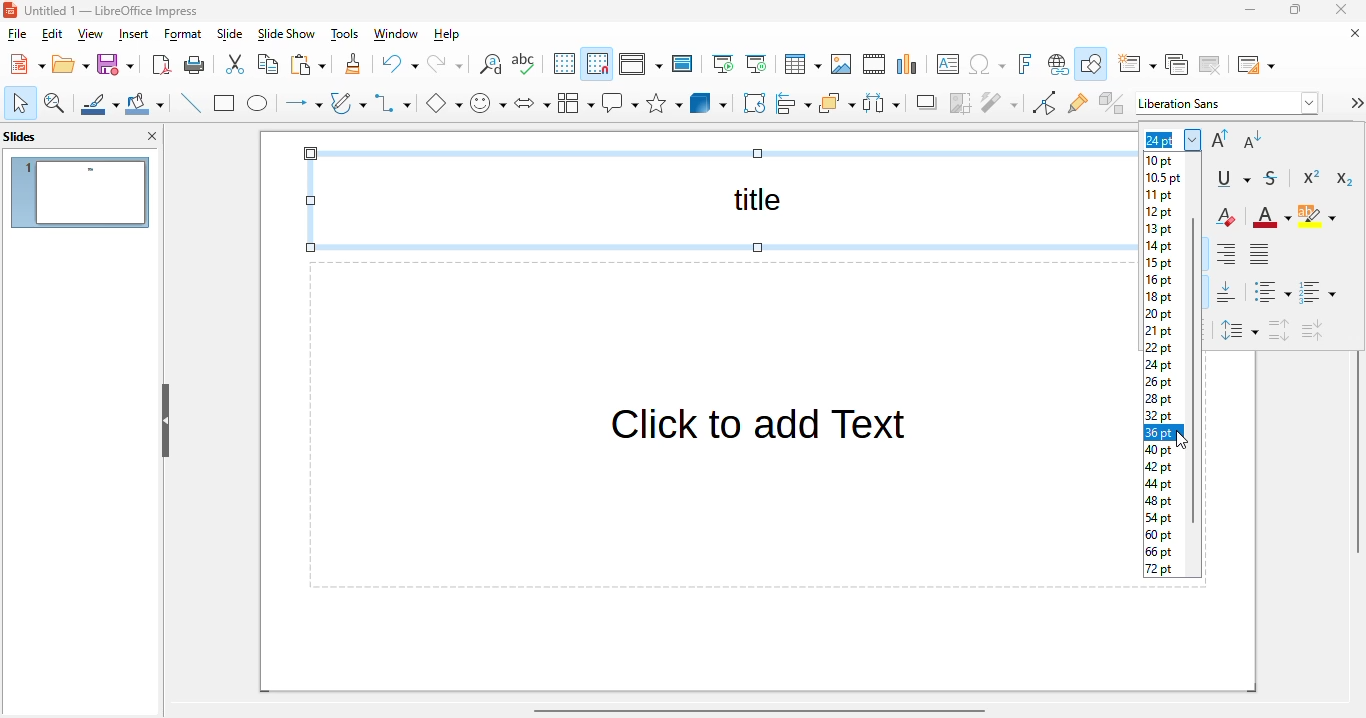 This screenshot has width=1366, height=718. I want to click on line color, so click(99, 103).